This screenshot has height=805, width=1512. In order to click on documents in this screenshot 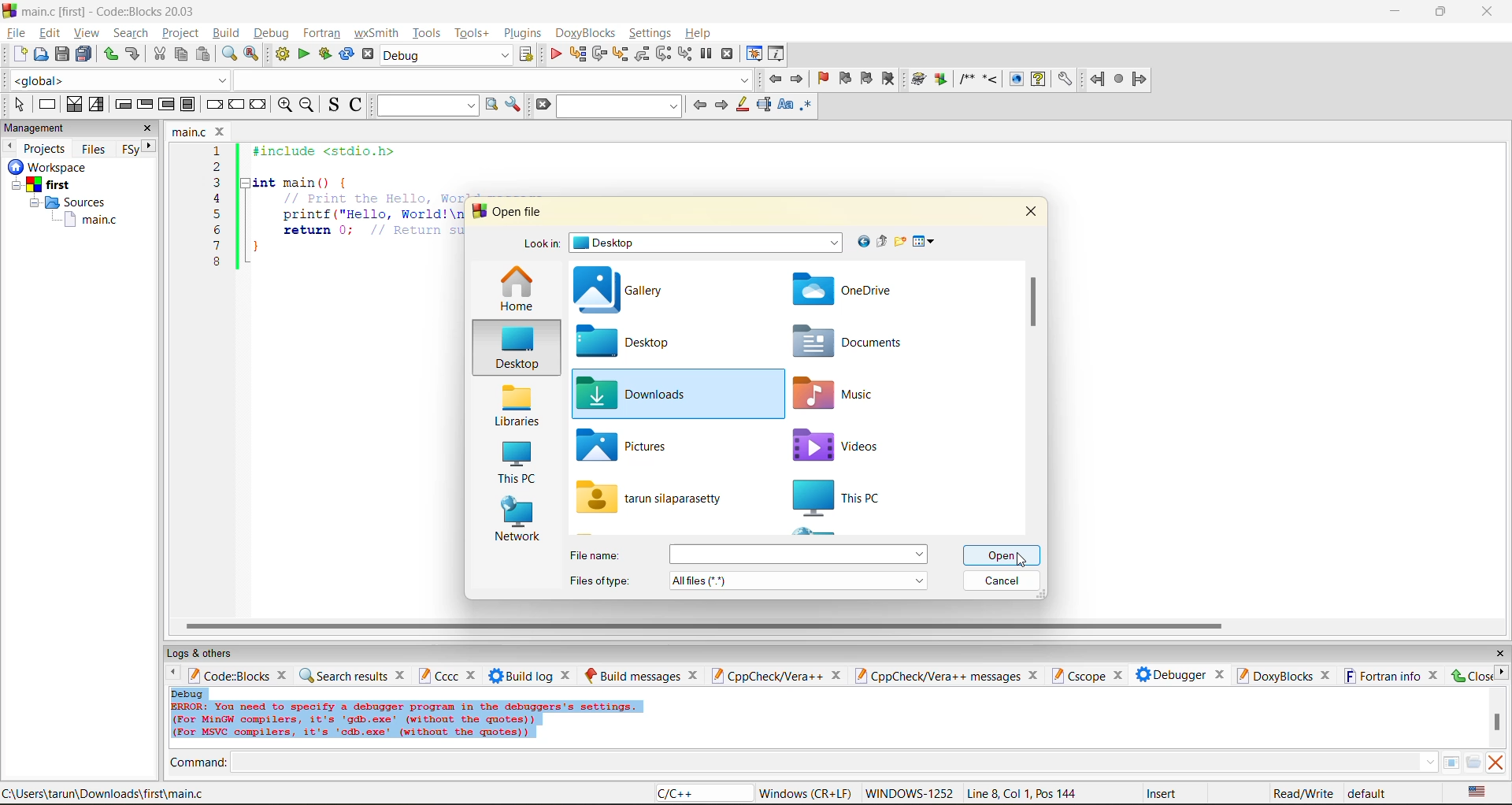, I will do `click(852, 343)`.